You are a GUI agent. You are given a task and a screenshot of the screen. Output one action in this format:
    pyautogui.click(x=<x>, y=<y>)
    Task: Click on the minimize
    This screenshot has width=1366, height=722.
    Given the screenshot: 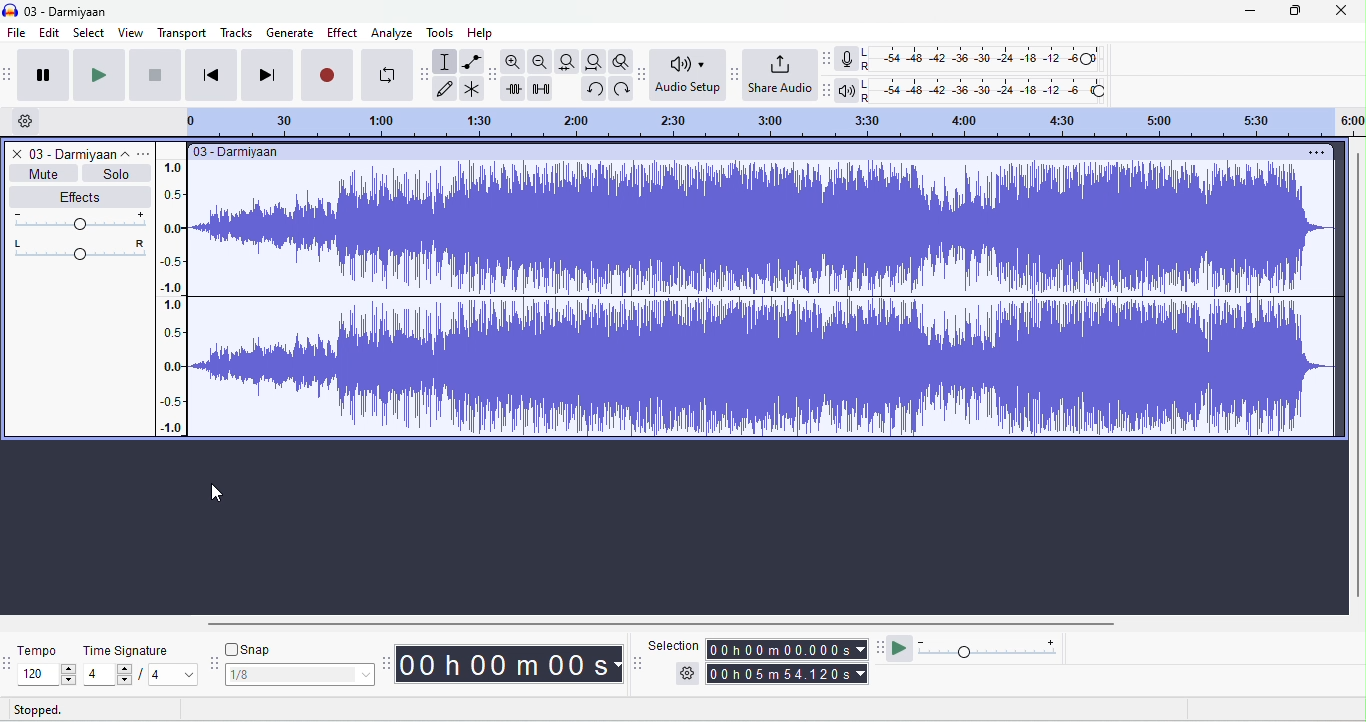 What is the action you would take?
    pyautogui.click(x=1248, y=13)
    